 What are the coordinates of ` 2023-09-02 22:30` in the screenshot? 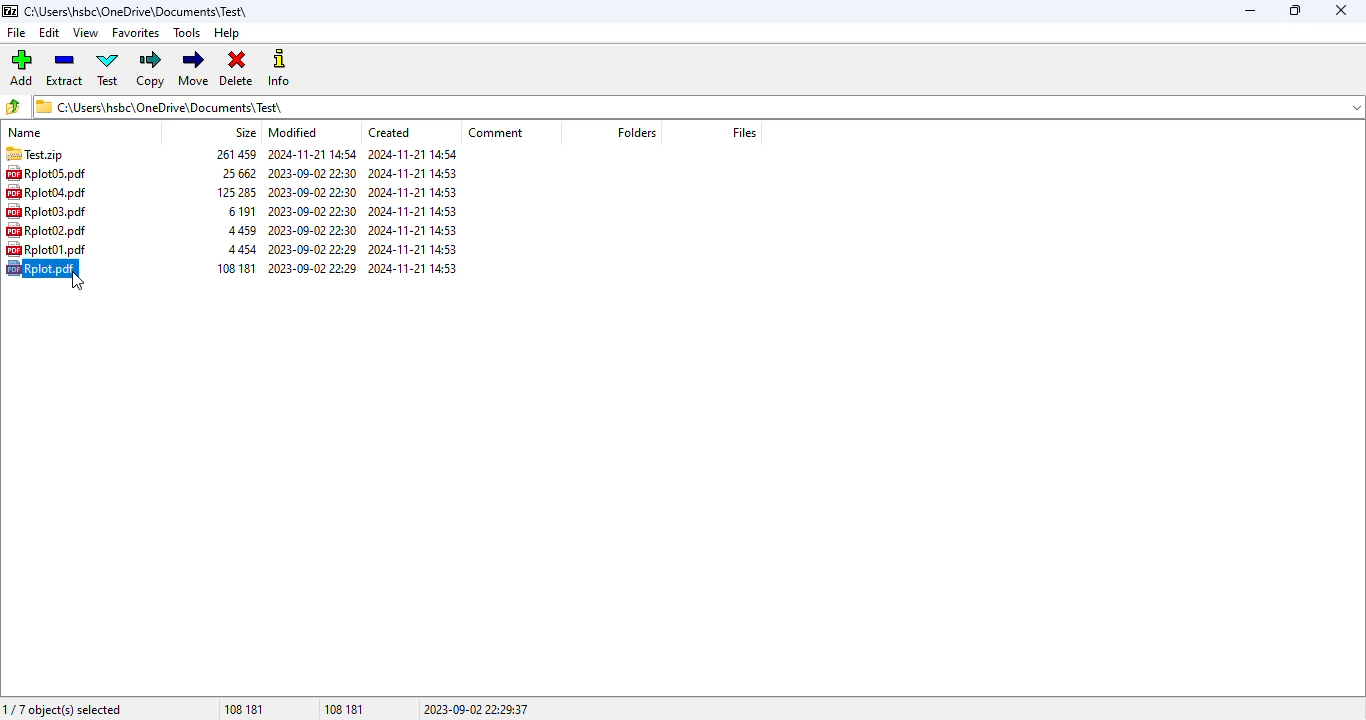 It's located at (308, 194).